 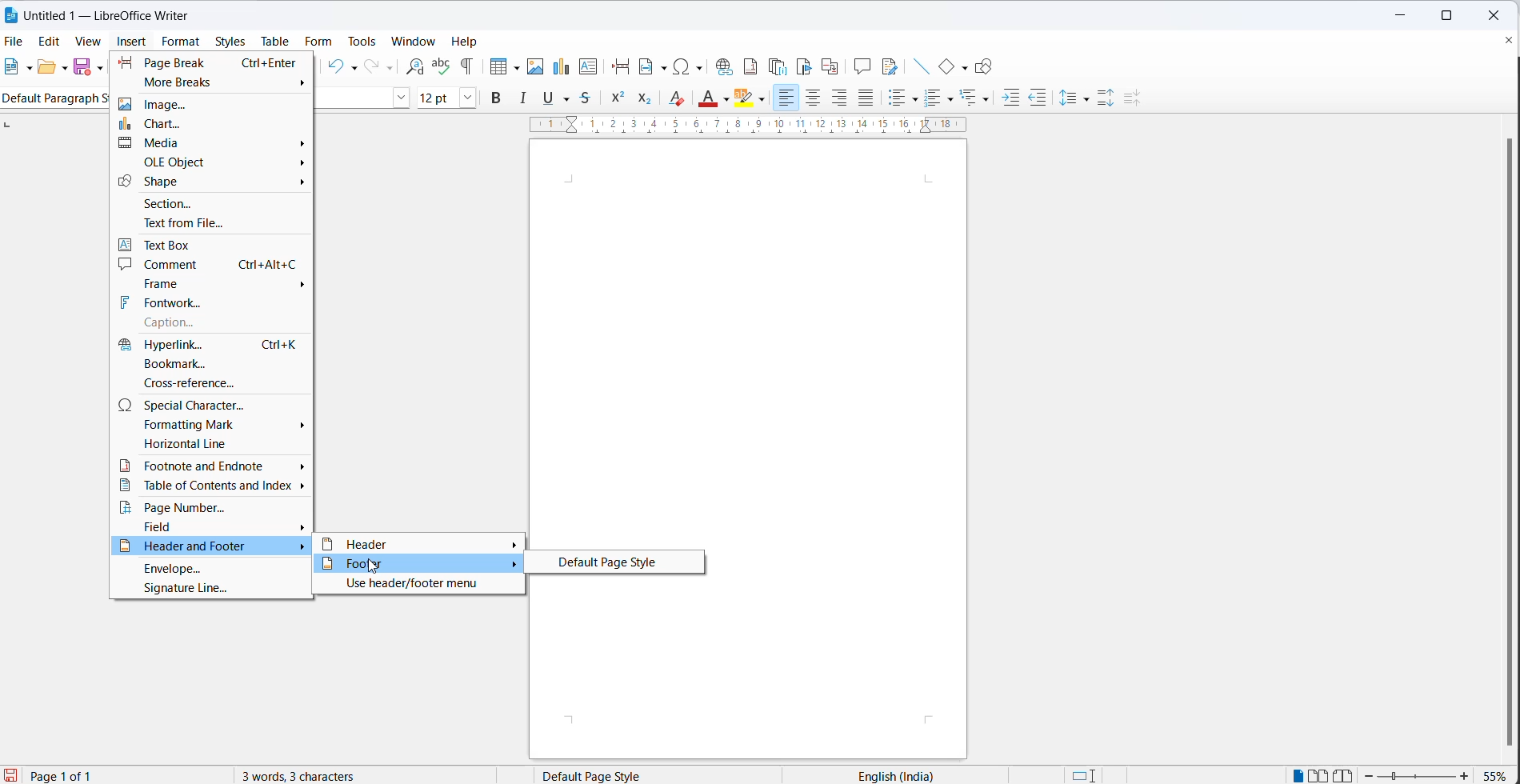 What do you see at coordinates (916, 98) in the screenshot?
I see `toggle unordered list options` at bounding box center [916, 98].